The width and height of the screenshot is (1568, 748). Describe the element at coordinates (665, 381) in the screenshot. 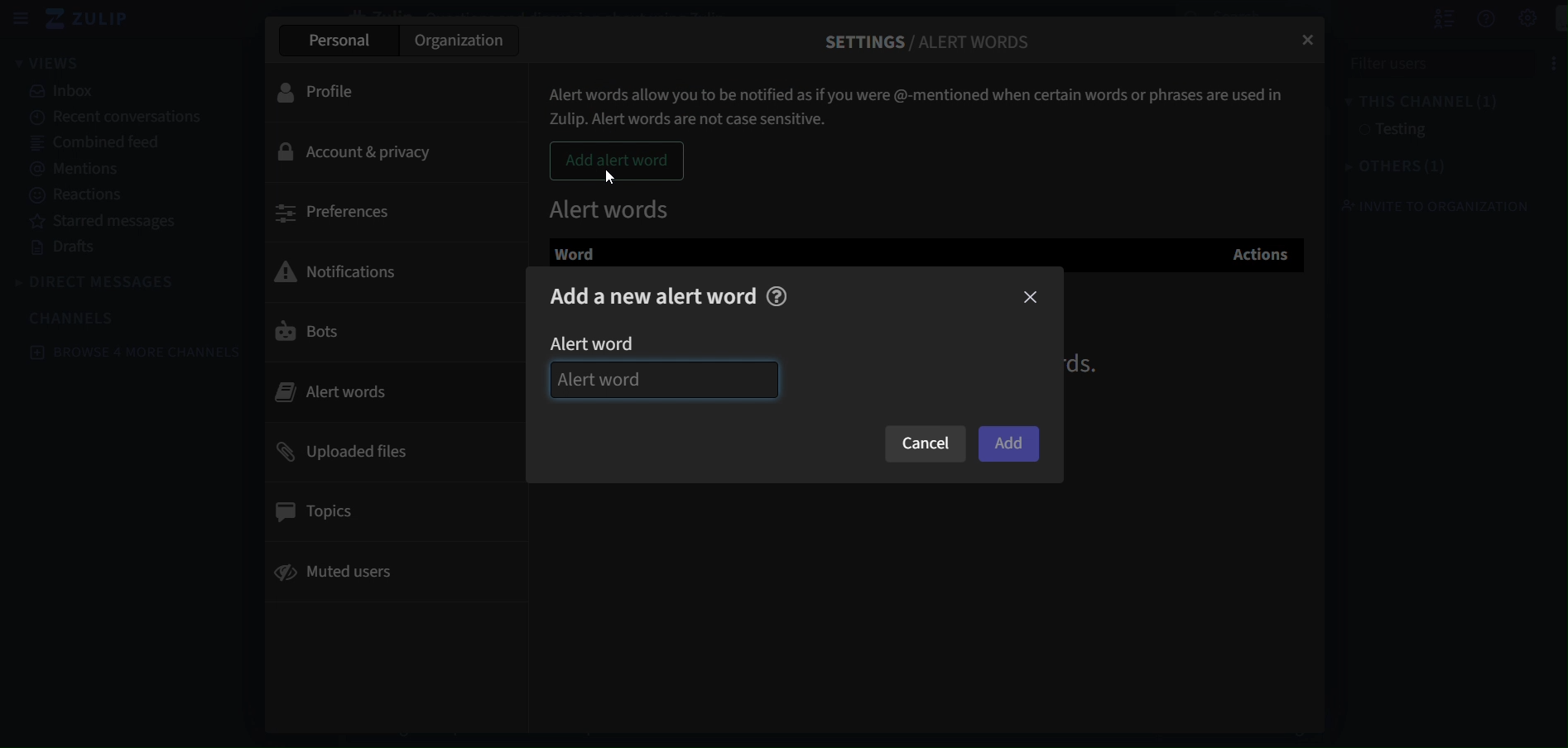

I see `Alert word` at that location.